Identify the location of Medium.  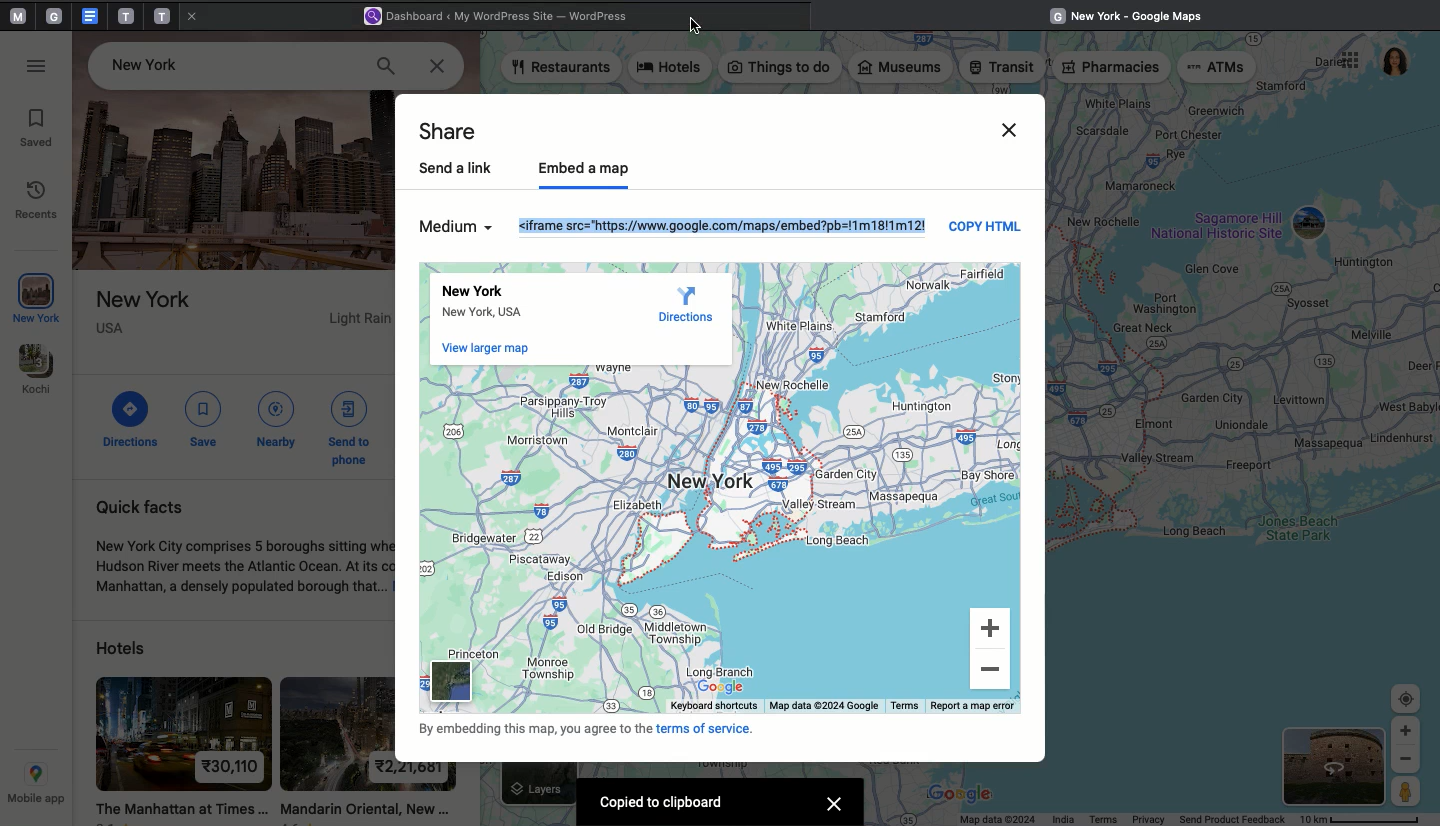
(454, 230).